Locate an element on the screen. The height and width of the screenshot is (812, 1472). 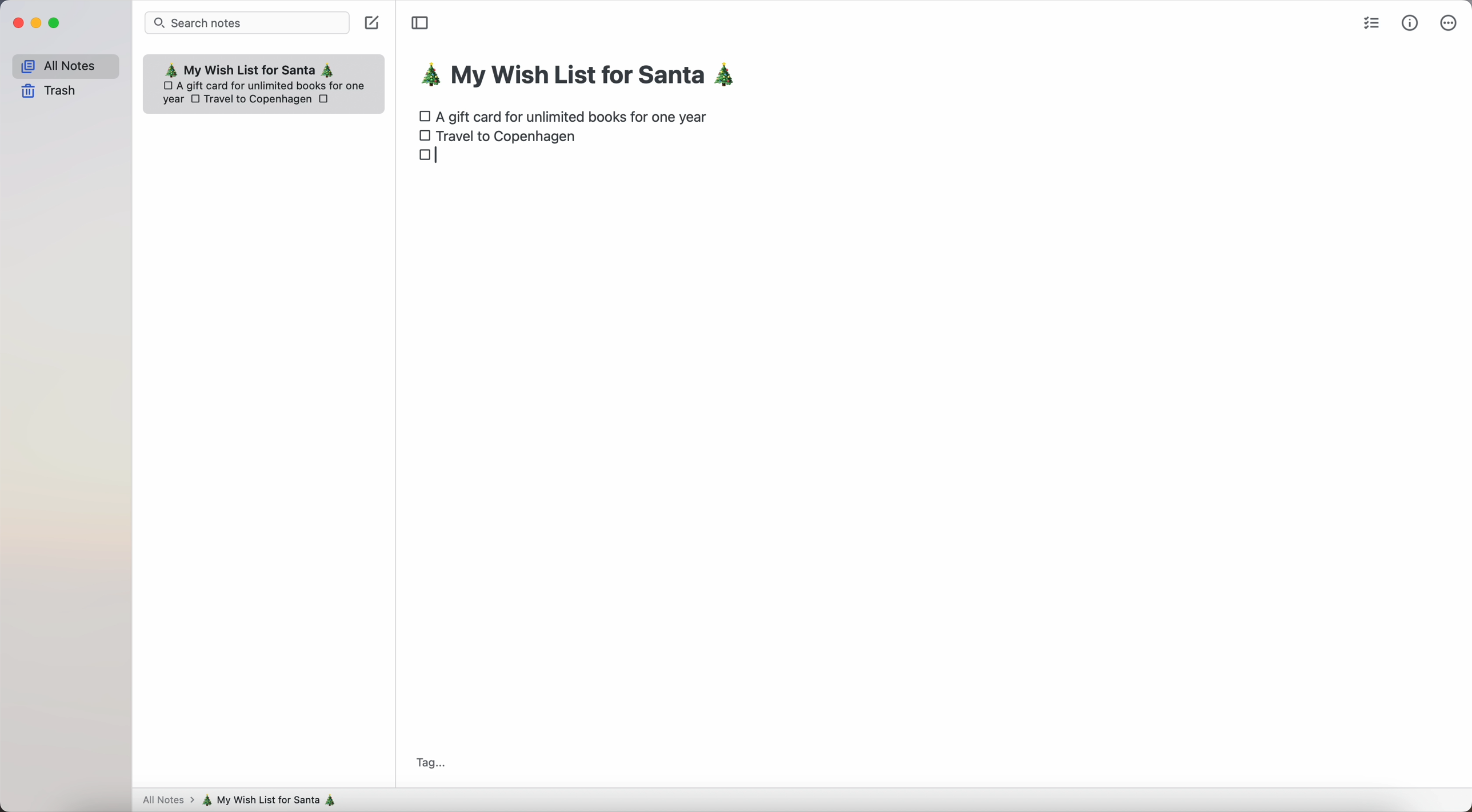
A gift card for unlimited books for one year Travel to Copenhagen is located at coordinates (263, 94).